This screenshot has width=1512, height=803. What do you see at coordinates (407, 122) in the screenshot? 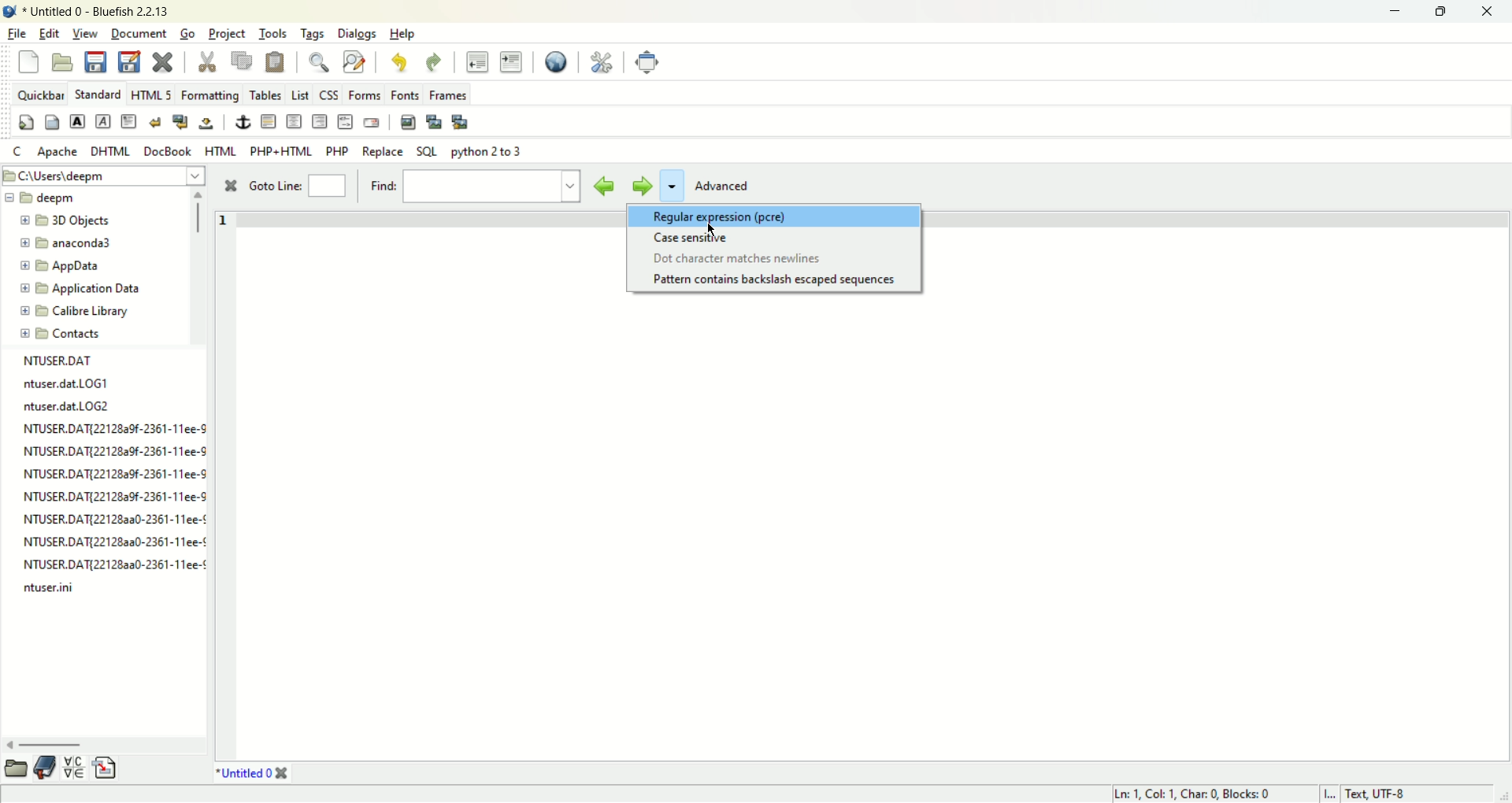
I see `insert image` at bounding box center [407, 122].